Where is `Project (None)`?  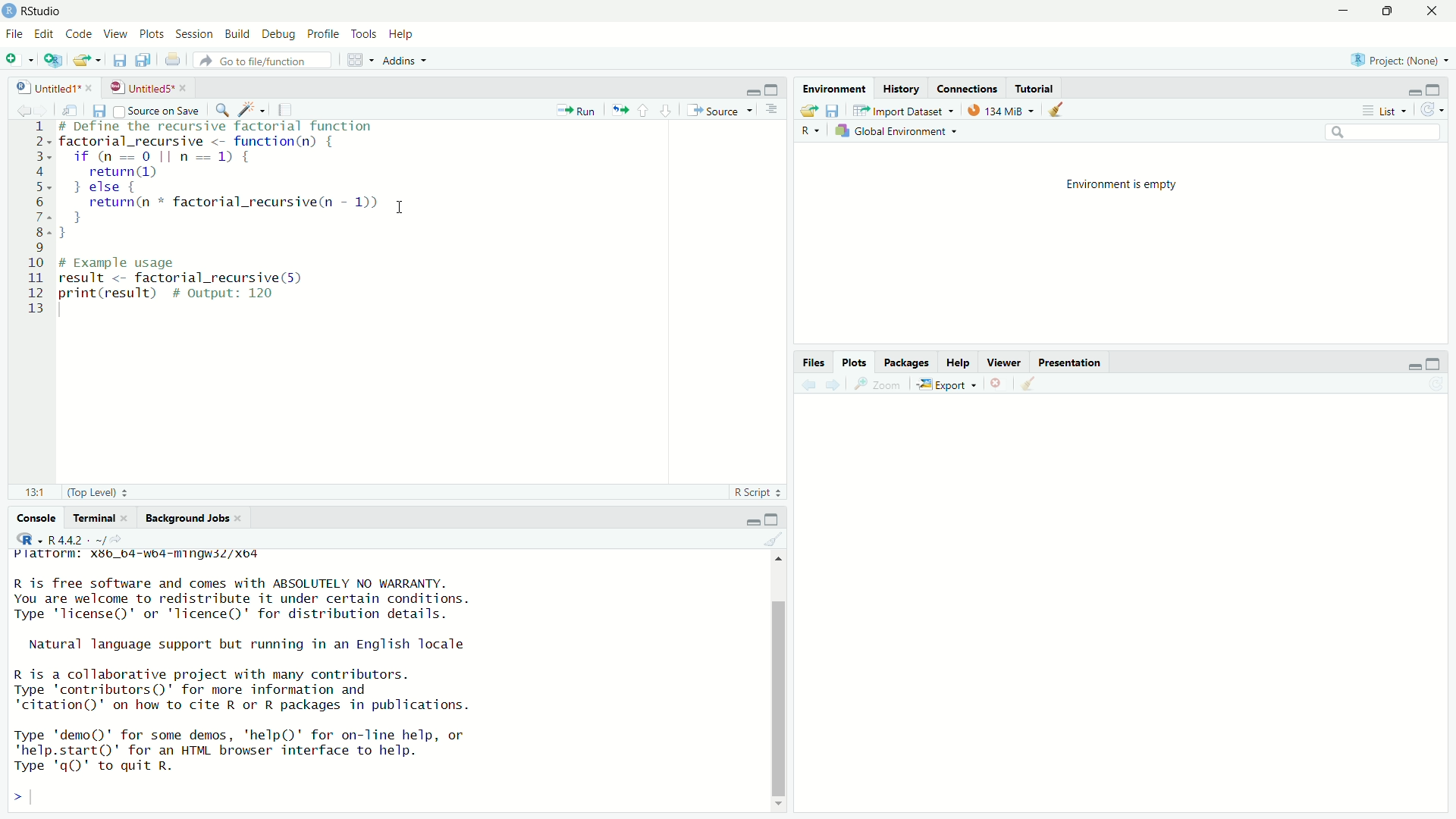 Project (None) is located at coordinates (1398, 61).